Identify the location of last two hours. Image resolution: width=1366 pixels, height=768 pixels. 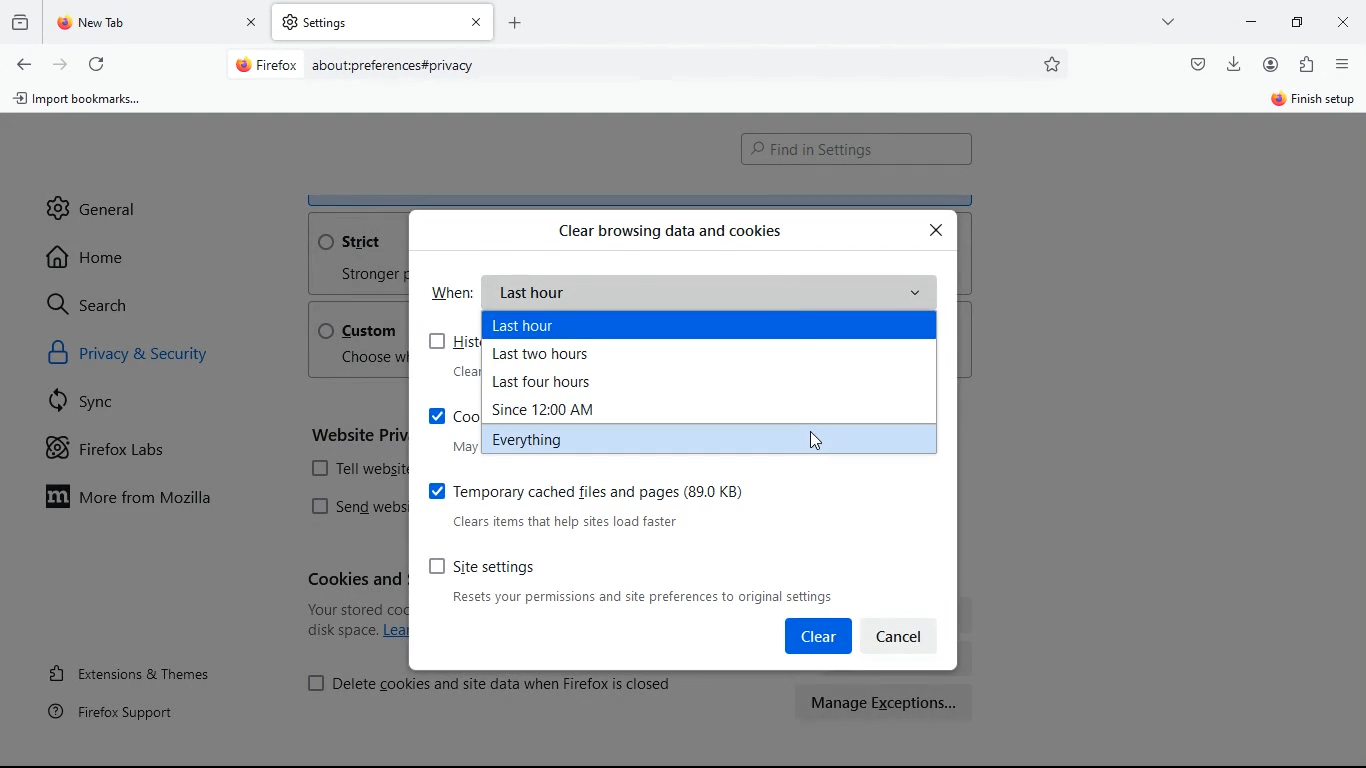
(567, 356).